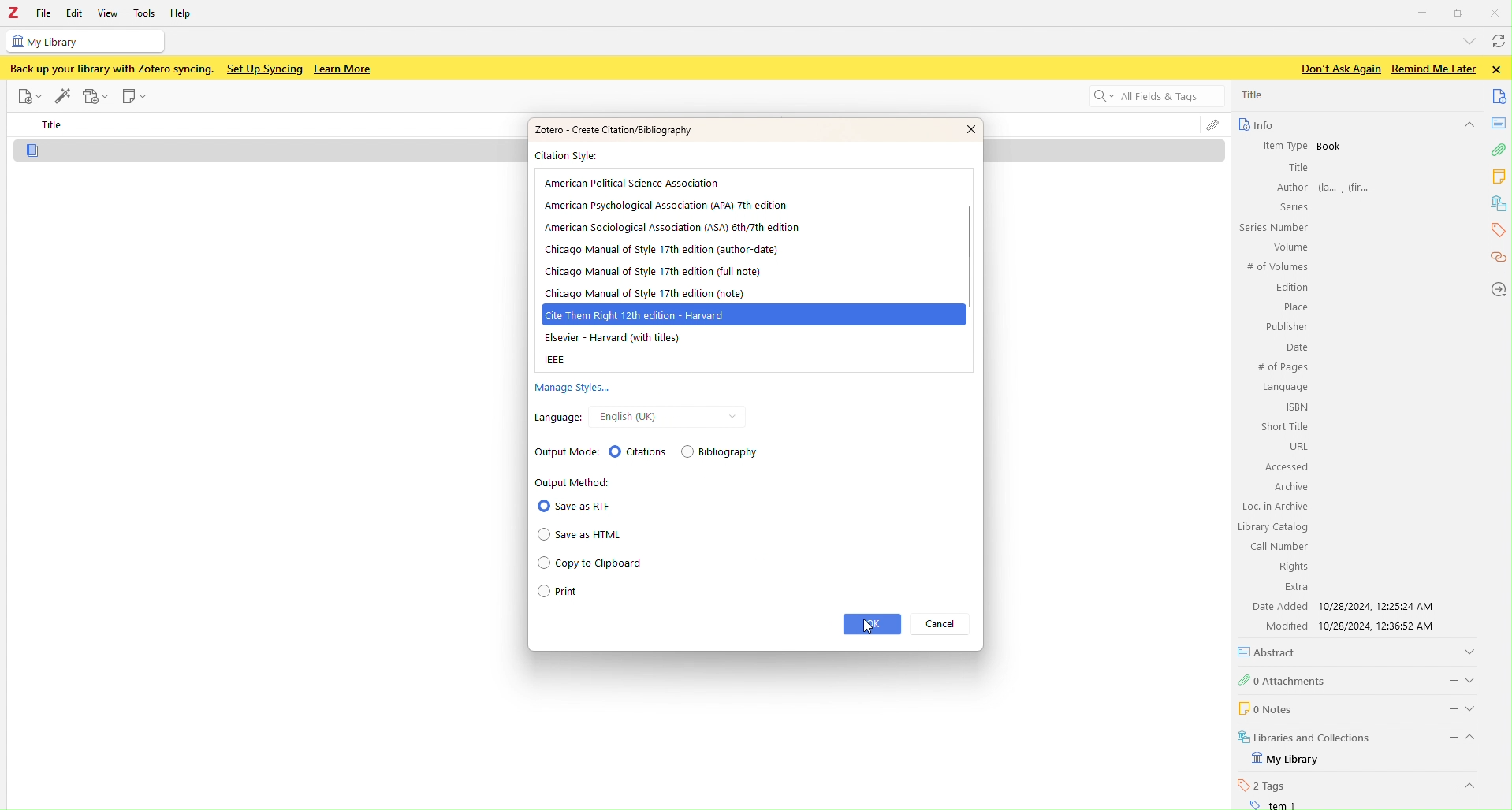 Image resolution: width=1512 pixels, height=810 pixels. Describe the element at coordinates (1290, 566) in the screenshot. I see `Rights` at that location.